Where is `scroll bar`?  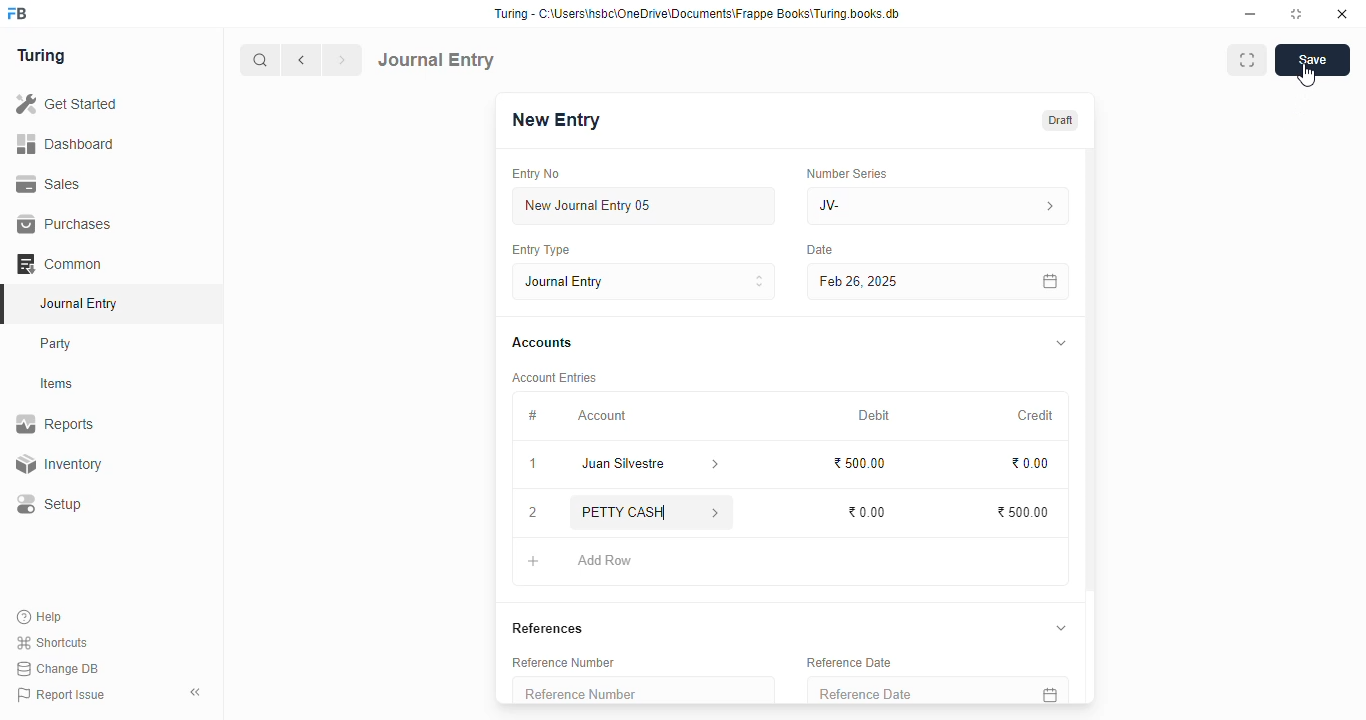 scroll bar is located at coordinates (1091, 424).